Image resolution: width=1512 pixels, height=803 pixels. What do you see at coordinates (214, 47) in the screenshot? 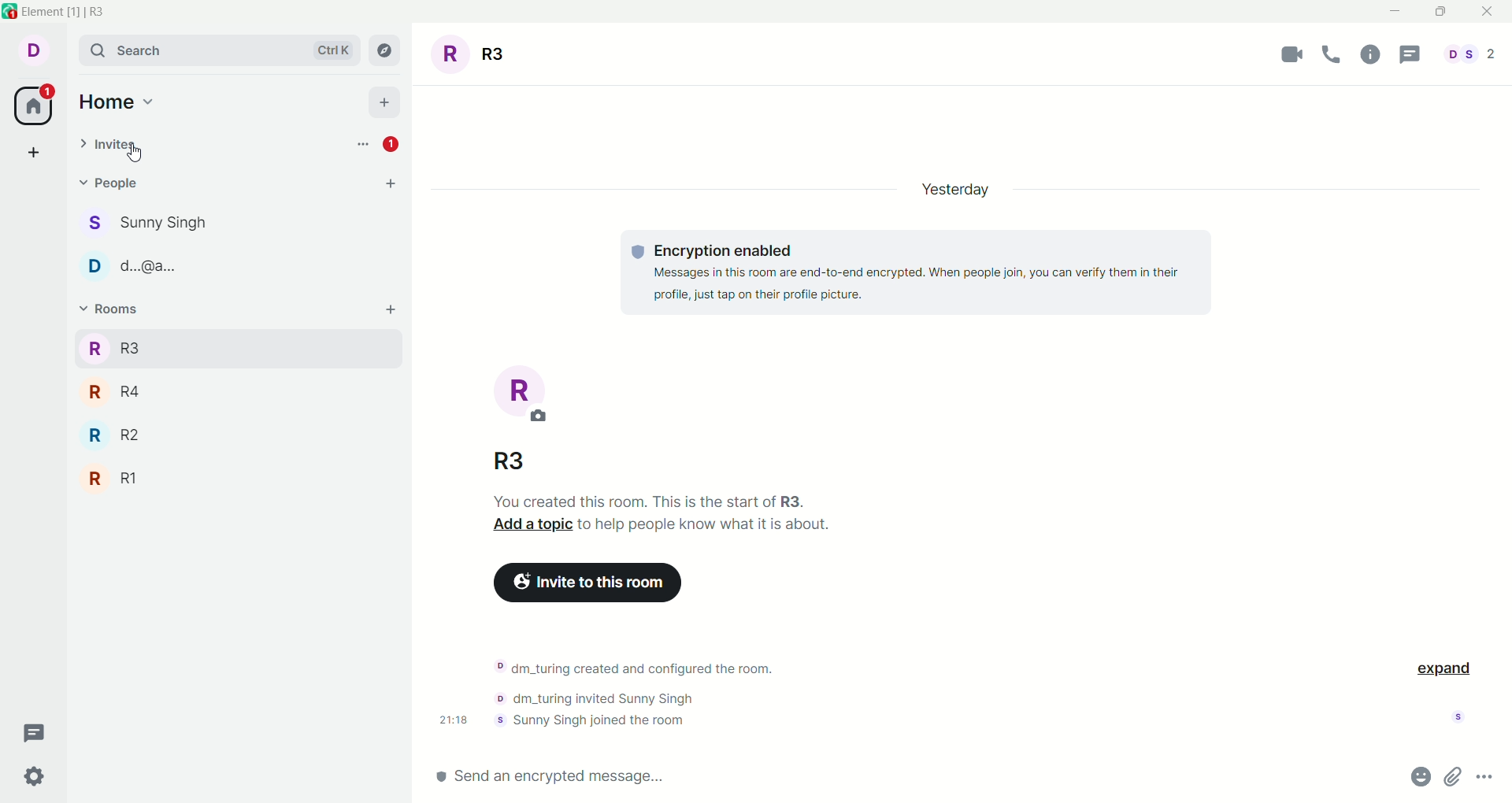
I see `search` at bounding box center [214, 47].